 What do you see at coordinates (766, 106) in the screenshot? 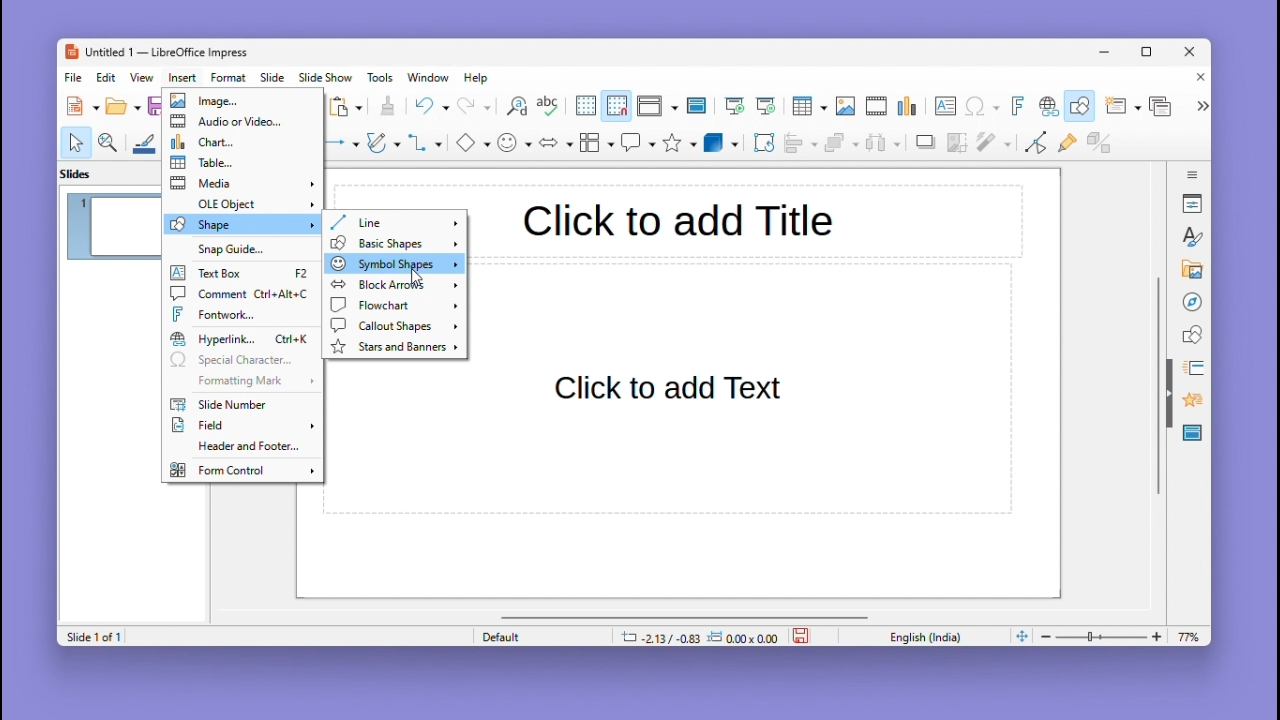
I see `Last slide` at bounding box center [766, 106].